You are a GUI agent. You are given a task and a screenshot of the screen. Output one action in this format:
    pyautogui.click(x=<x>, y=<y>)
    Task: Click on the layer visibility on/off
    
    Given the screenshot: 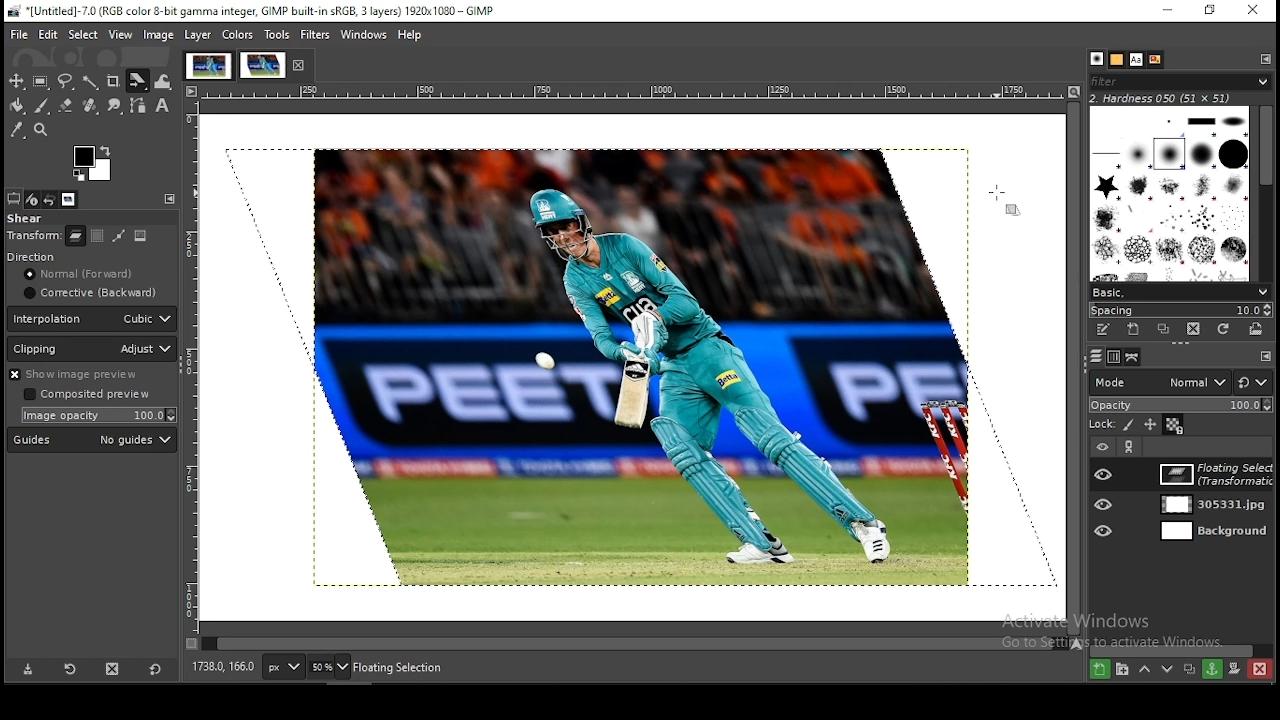 What is the action you would take?
    pyautogui.click(x=1101, y=531)
    